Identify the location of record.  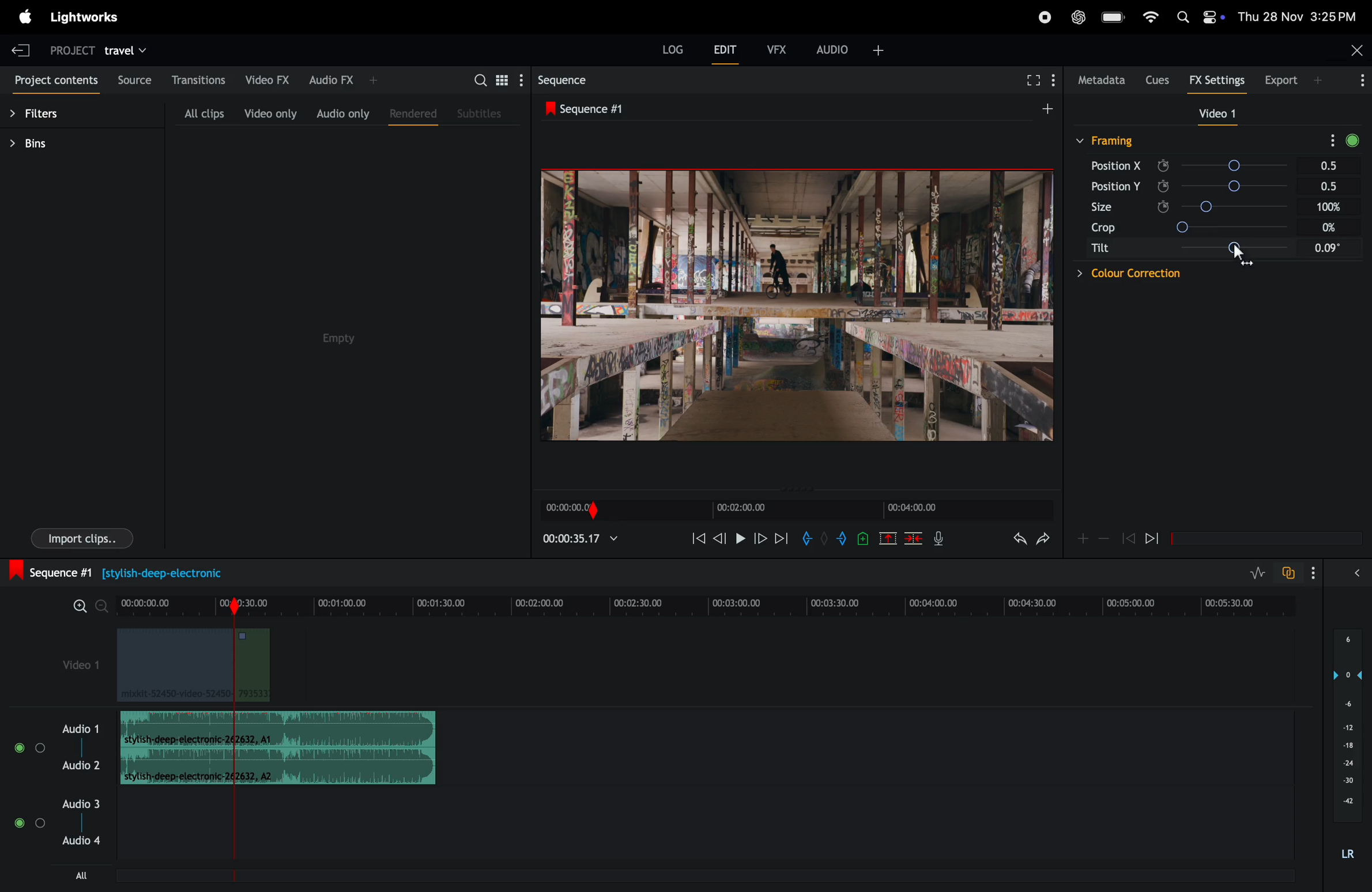
(1045, 16).